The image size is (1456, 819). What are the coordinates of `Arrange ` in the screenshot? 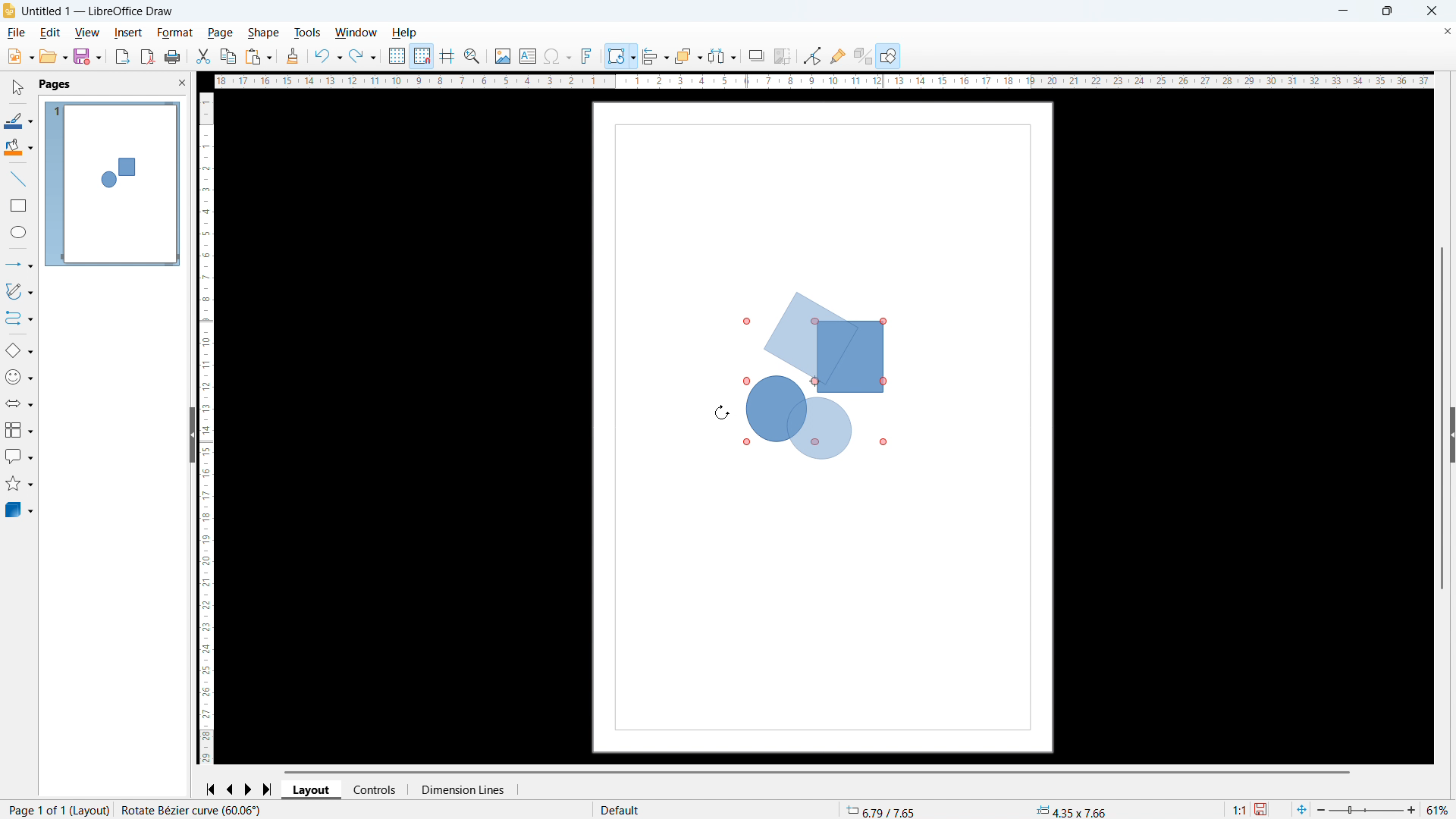 It's located at (689, 55).